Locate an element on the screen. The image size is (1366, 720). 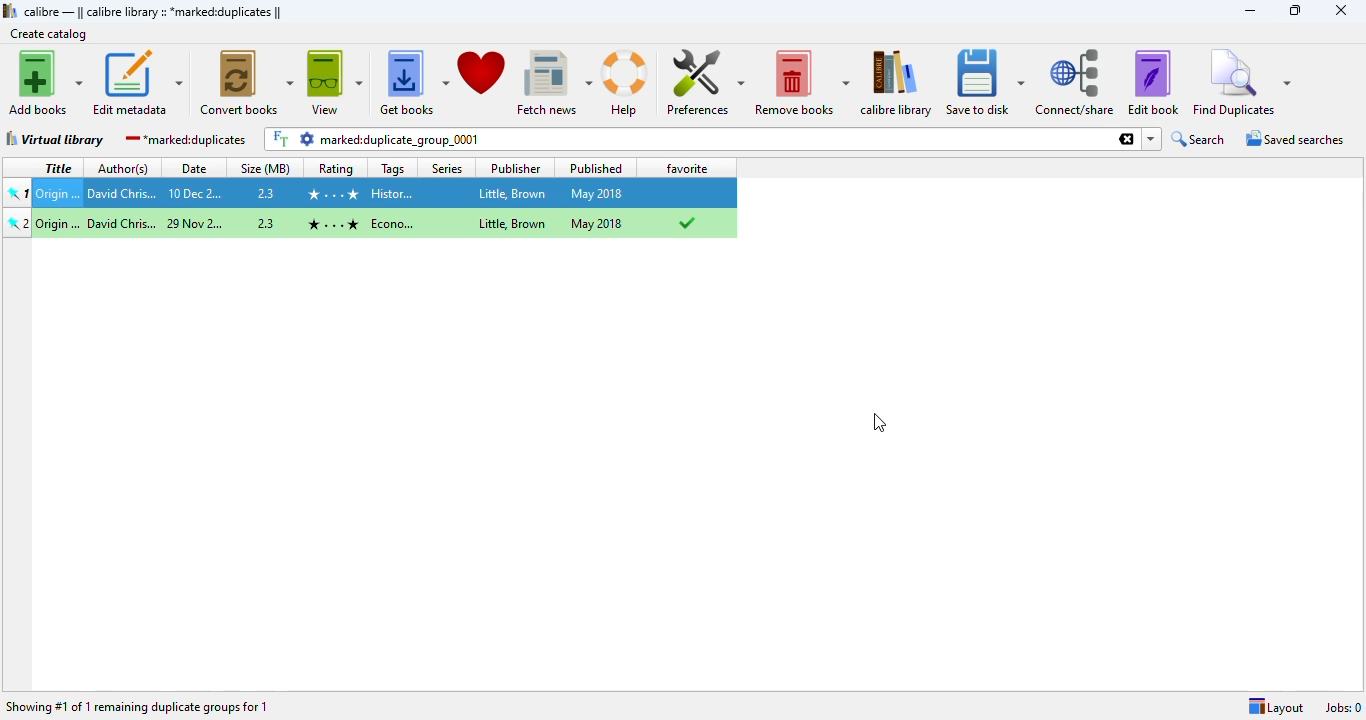
minimize is located at coordinates (1251, 11).